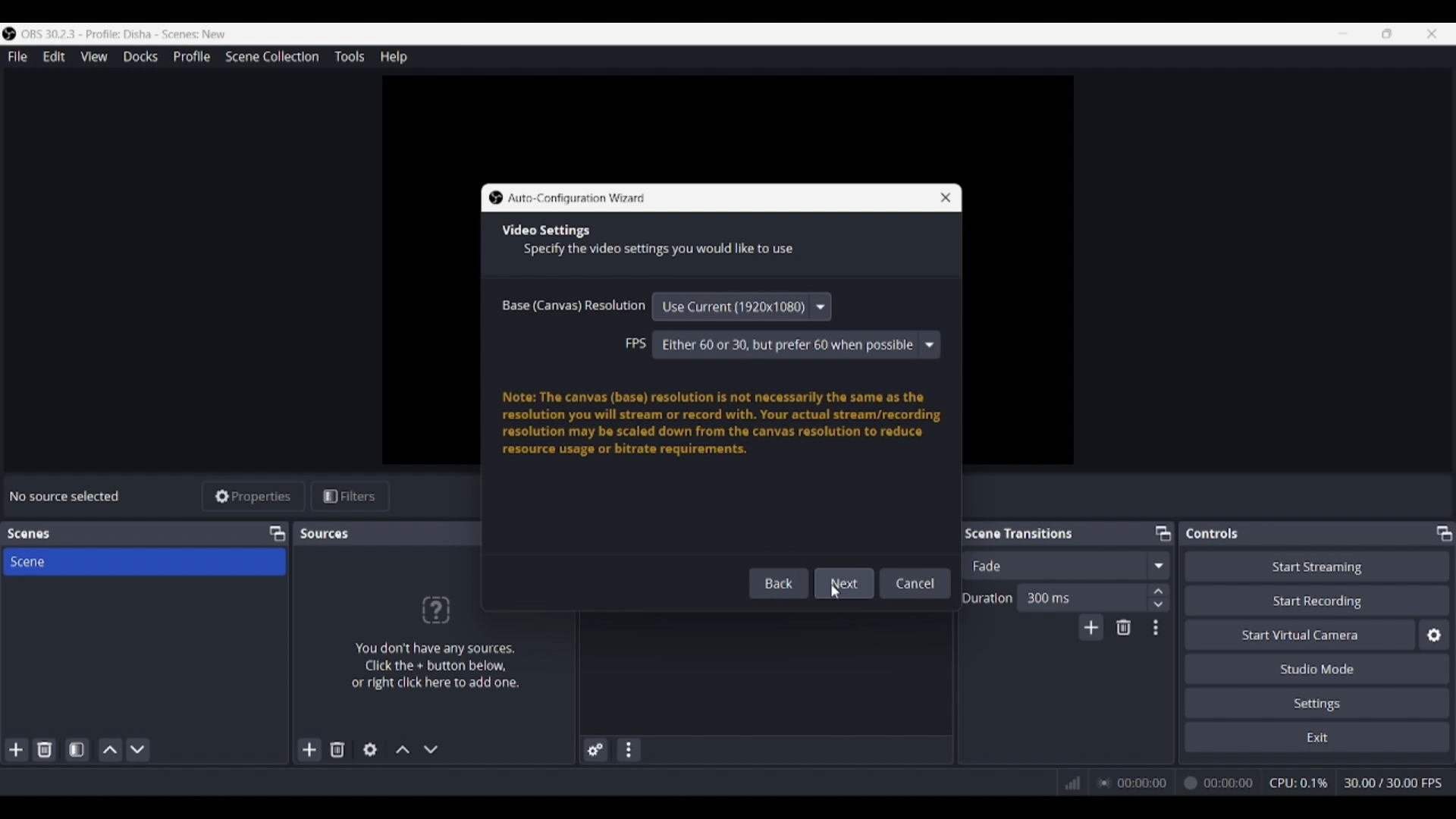 This screenshot has height=819, width=1456. I want to click on Input duration, so click(1081, 597).